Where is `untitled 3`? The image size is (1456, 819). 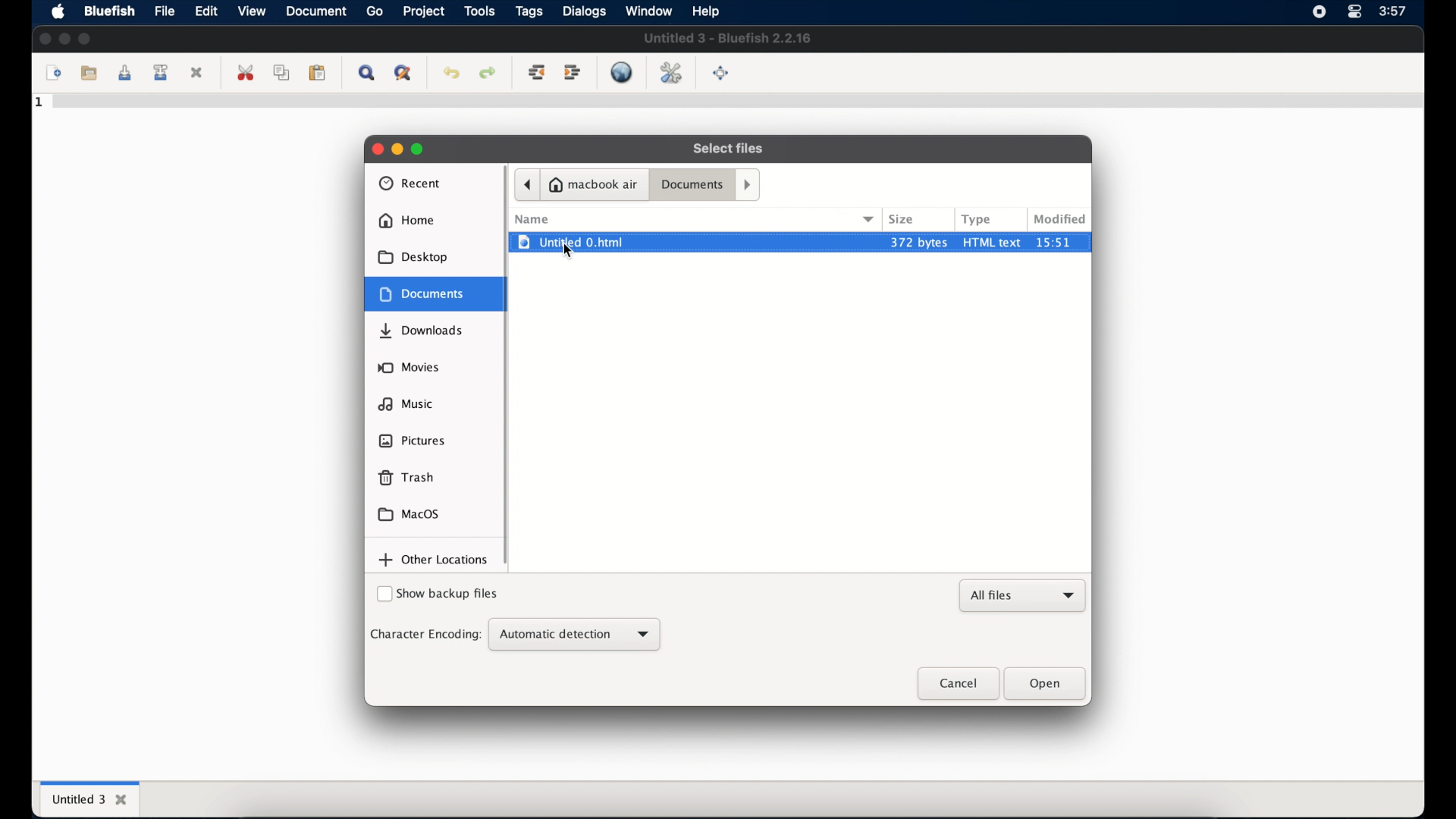
untitled 3 is located at coordinates (88, 798).